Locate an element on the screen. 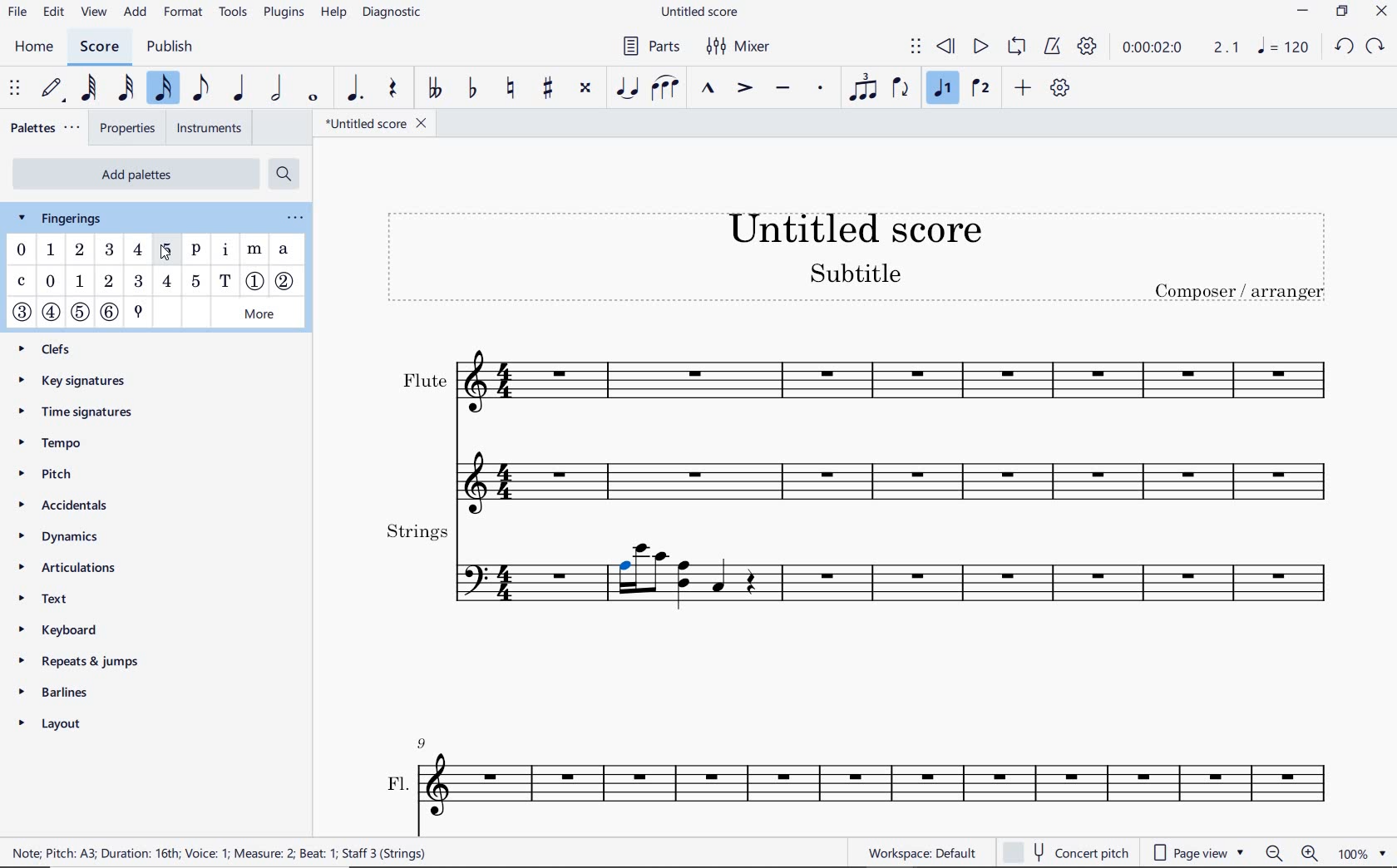  add palettes is located at coordinates (133, 173).